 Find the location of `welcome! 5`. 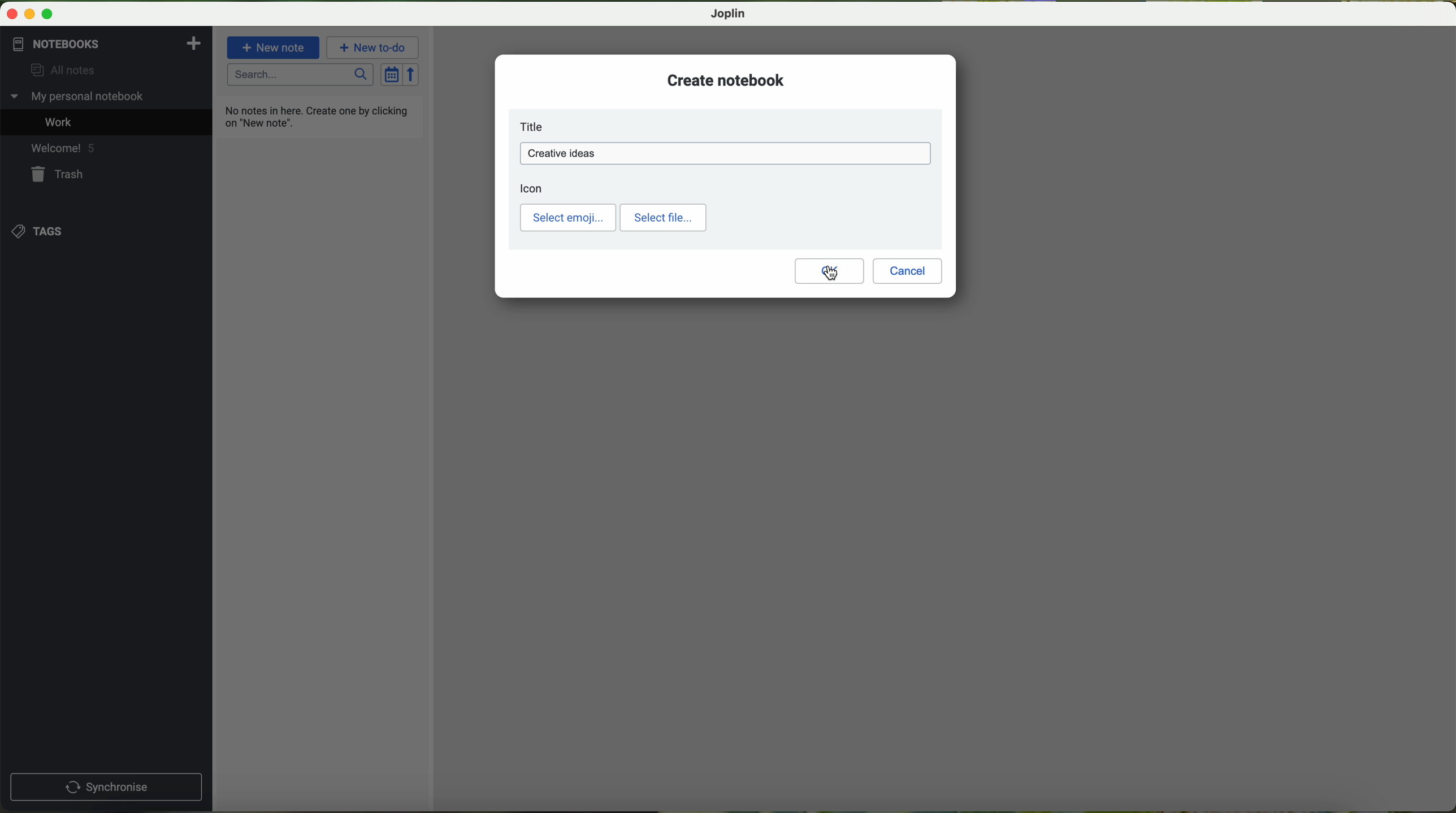

welcome! 5 is located at coordinates (62, 147).